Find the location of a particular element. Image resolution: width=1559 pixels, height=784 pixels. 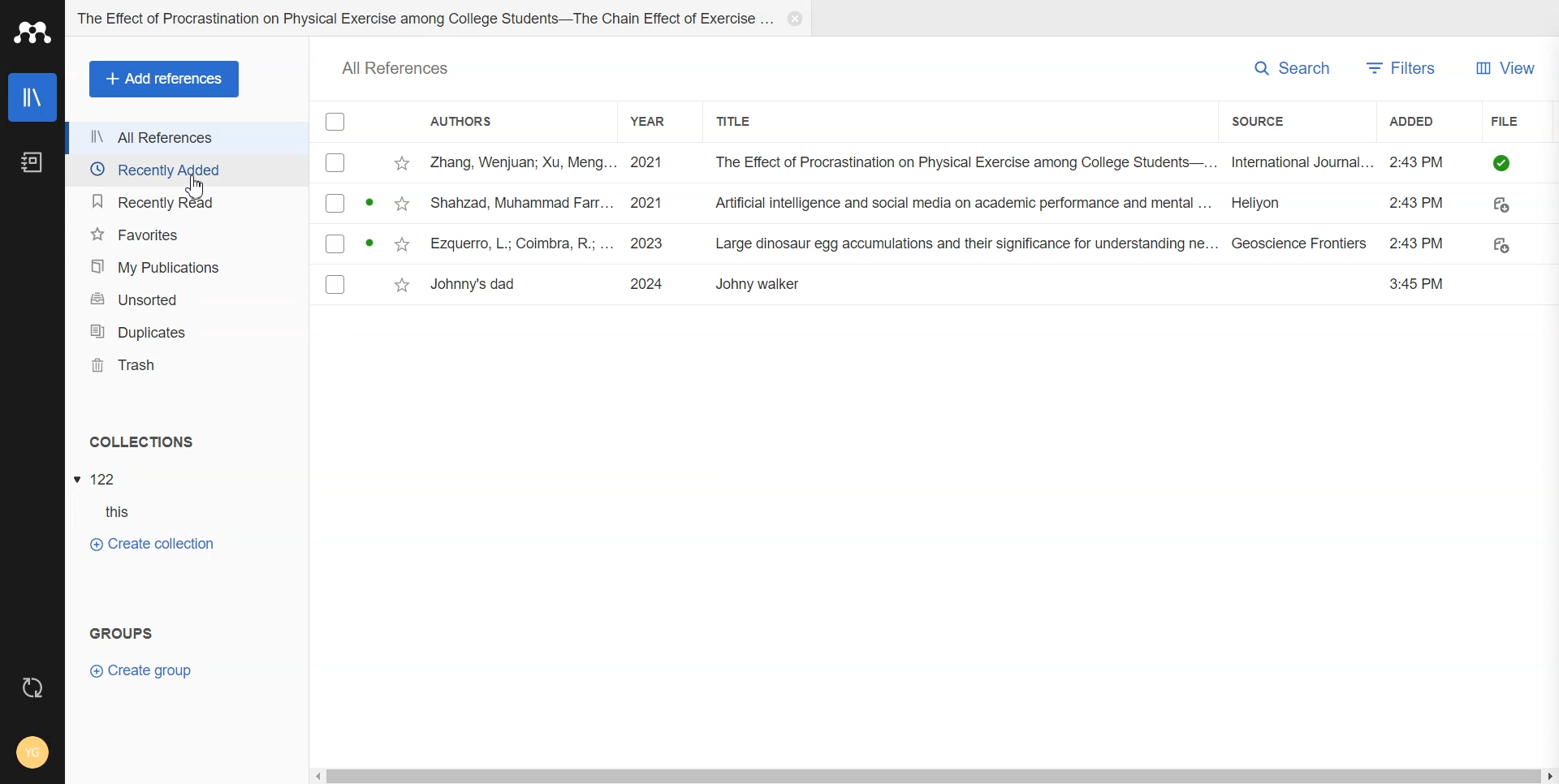

File is located at coordinates (1521, 122).